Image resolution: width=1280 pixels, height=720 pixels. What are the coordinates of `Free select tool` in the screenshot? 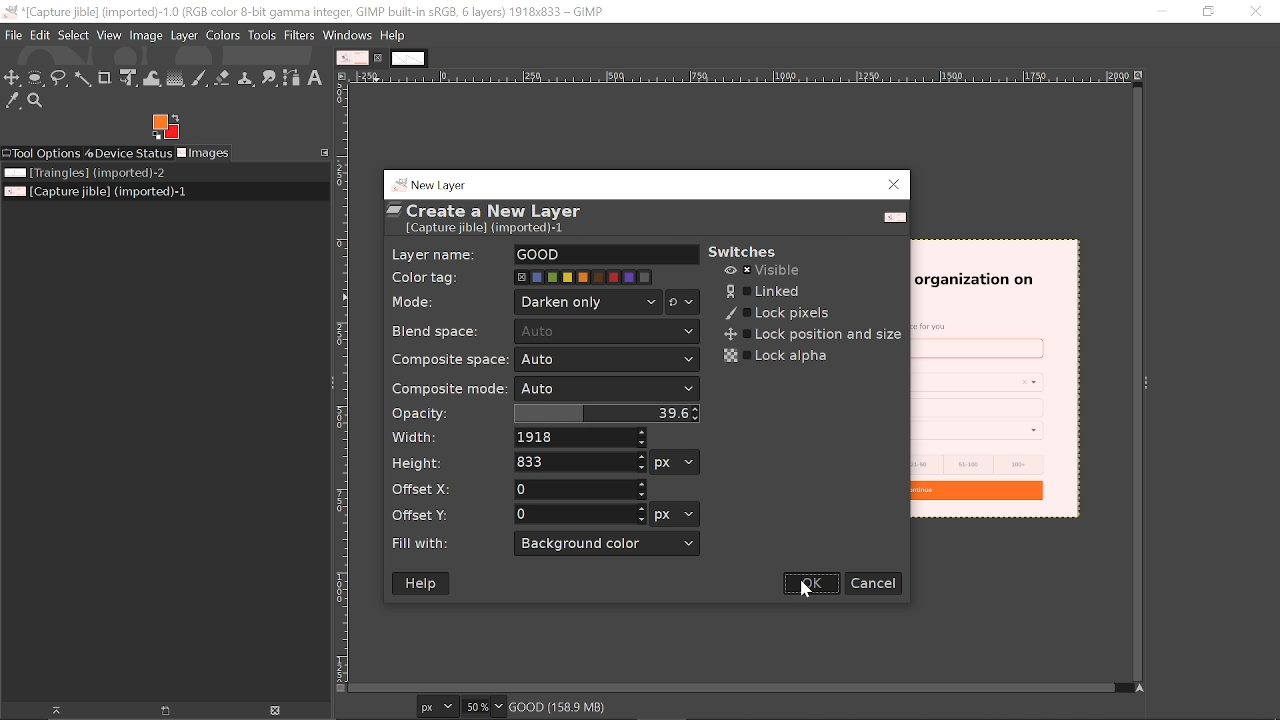 It's located at (59, 78).